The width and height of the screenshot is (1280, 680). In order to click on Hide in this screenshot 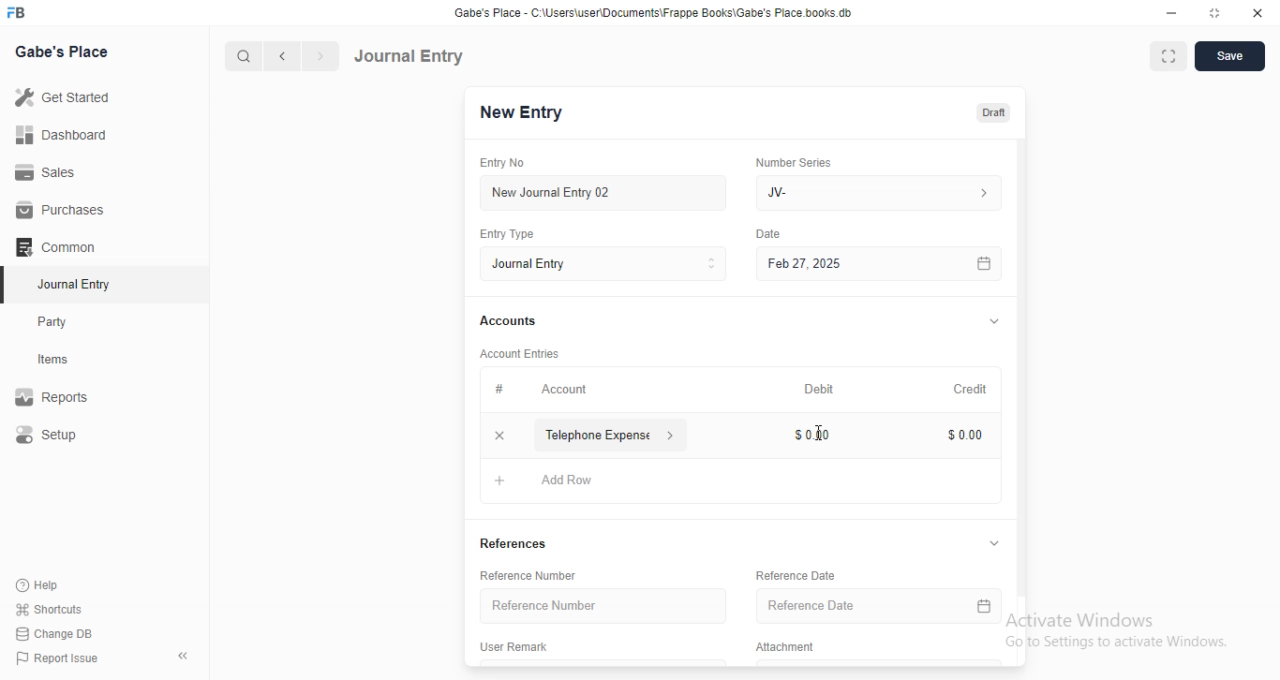, I will do `click(990, 544)`.